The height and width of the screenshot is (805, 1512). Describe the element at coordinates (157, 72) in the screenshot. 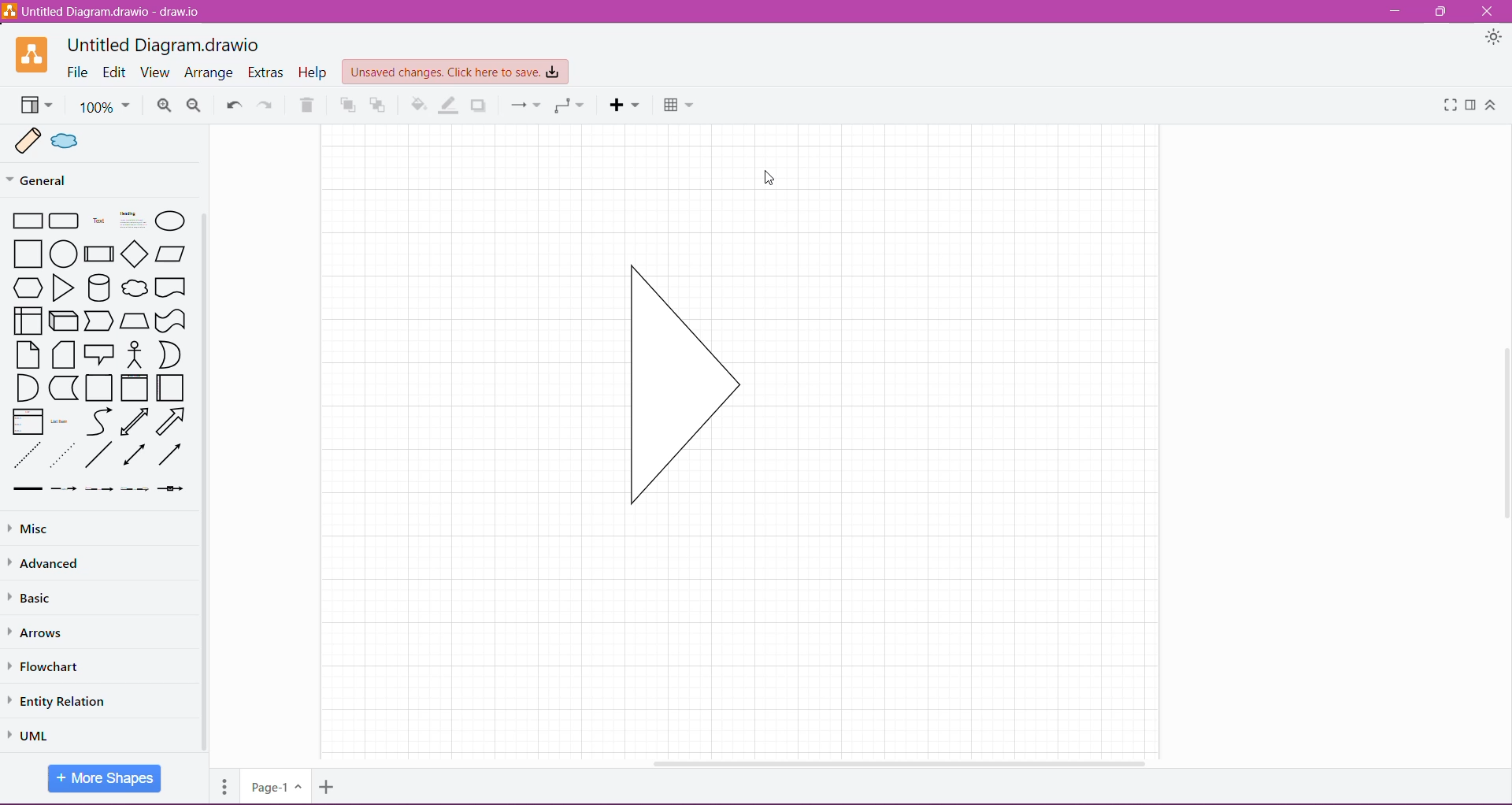

I see `View` at that location.